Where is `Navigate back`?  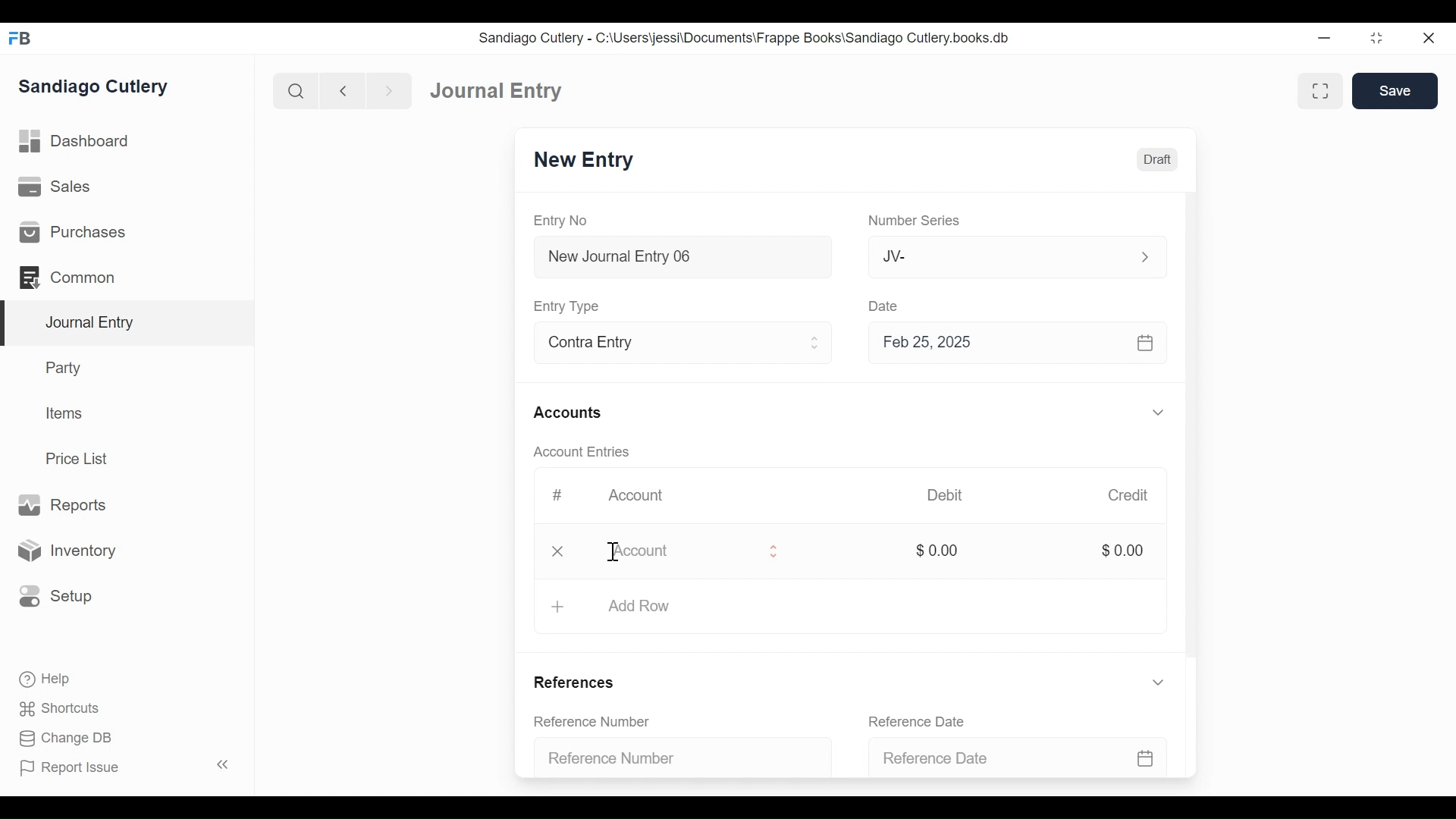 Navigate back is located at coordinates (343, 93).